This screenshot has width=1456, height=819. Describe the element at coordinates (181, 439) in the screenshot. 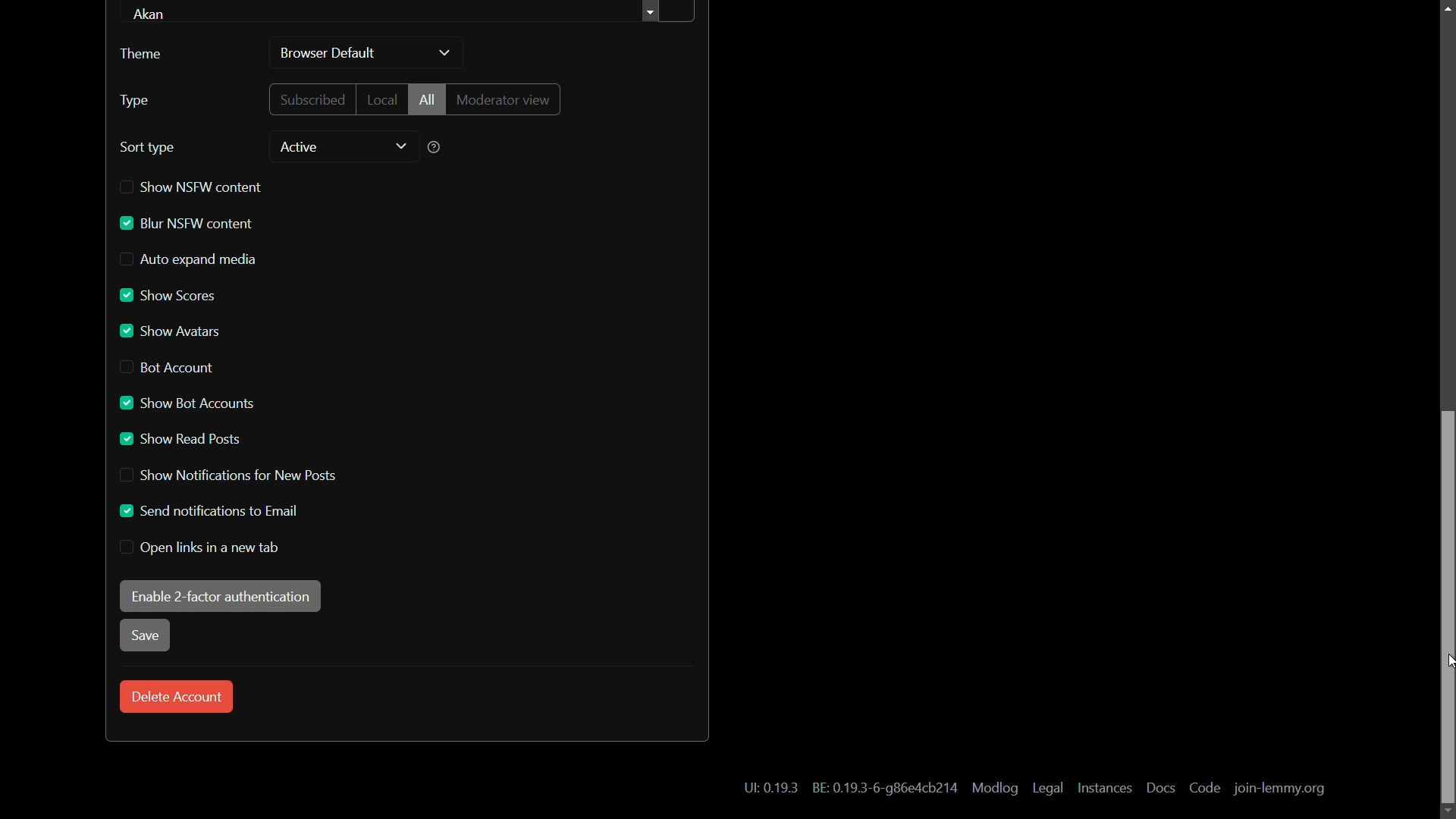

I see `show read posts` at that location.